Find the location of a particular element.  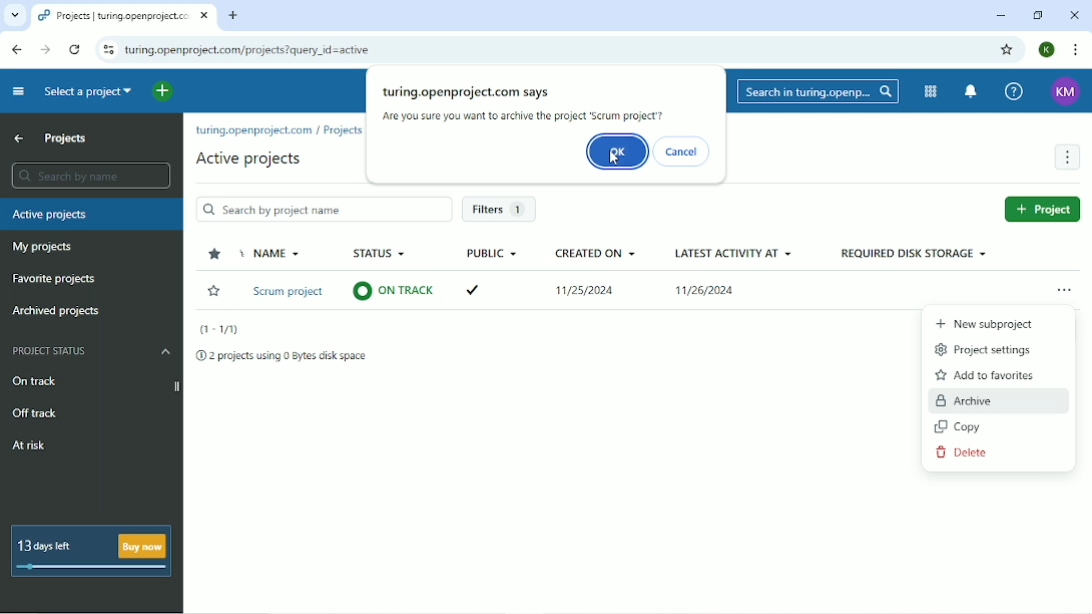

(T-1/1) is located at coordinates (219, 330).